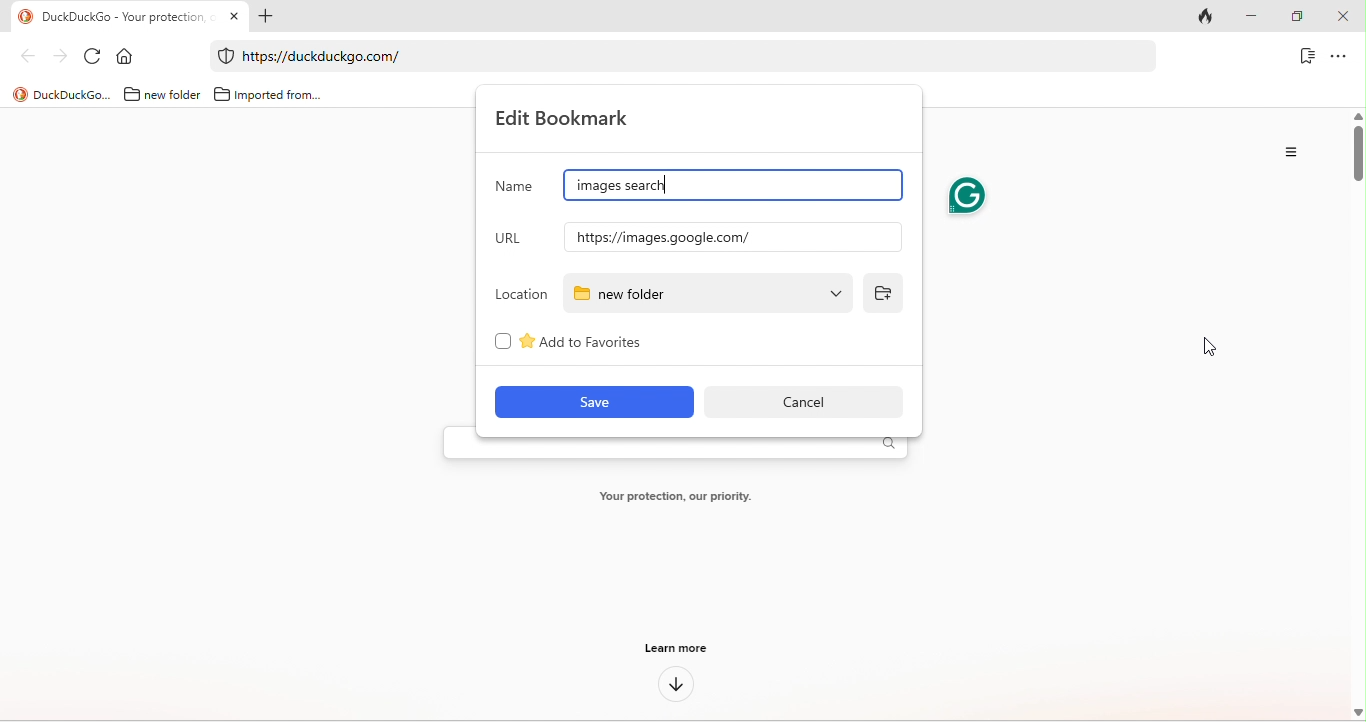  What do you see at coordinates (1260, 17) in the screenshot?
I see `minimize` at bounding box center [1260, 17].